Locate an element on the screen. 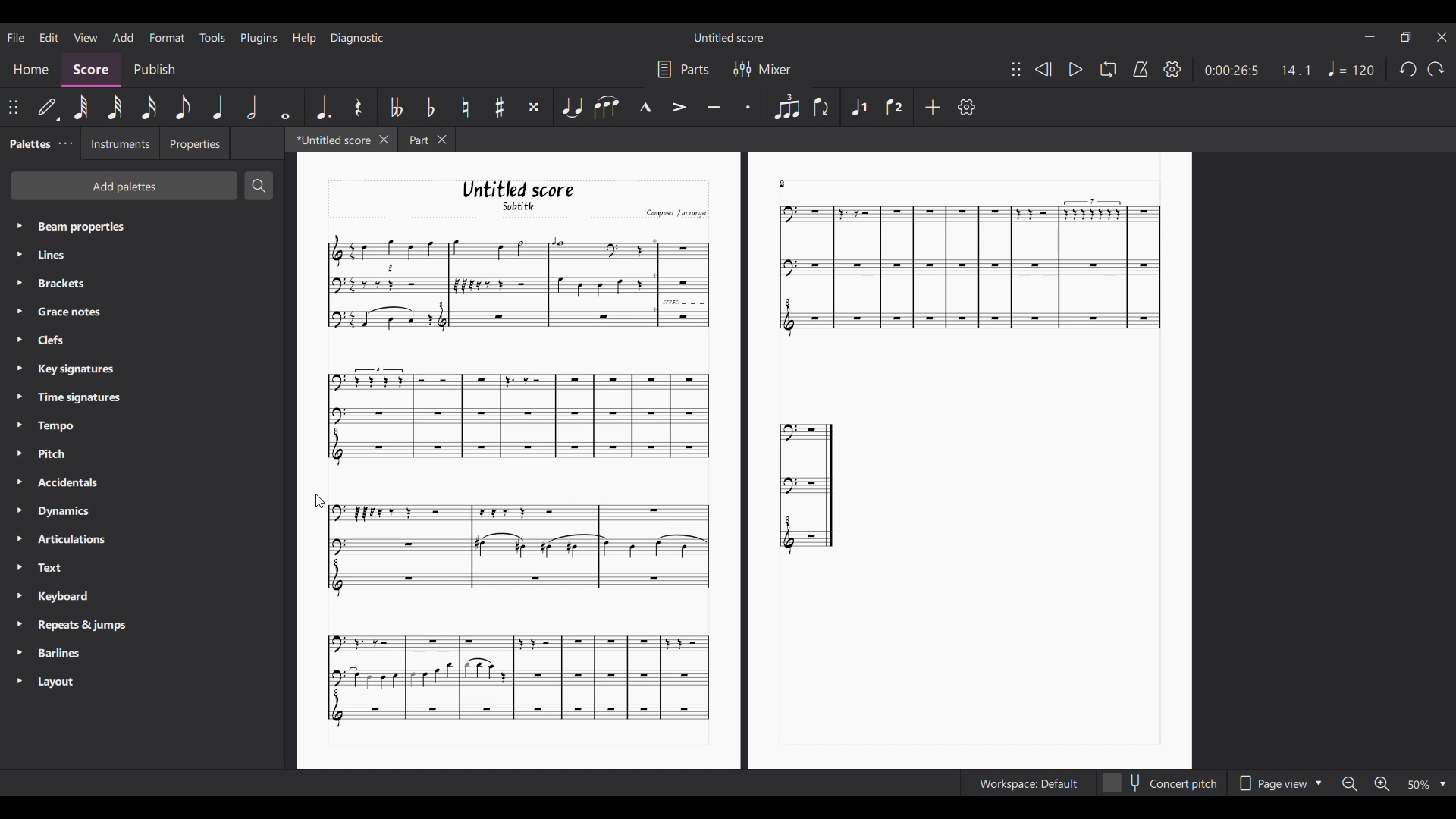 This screenshot has width=1456, height=819. Graph is located at coordinates (963, 270).